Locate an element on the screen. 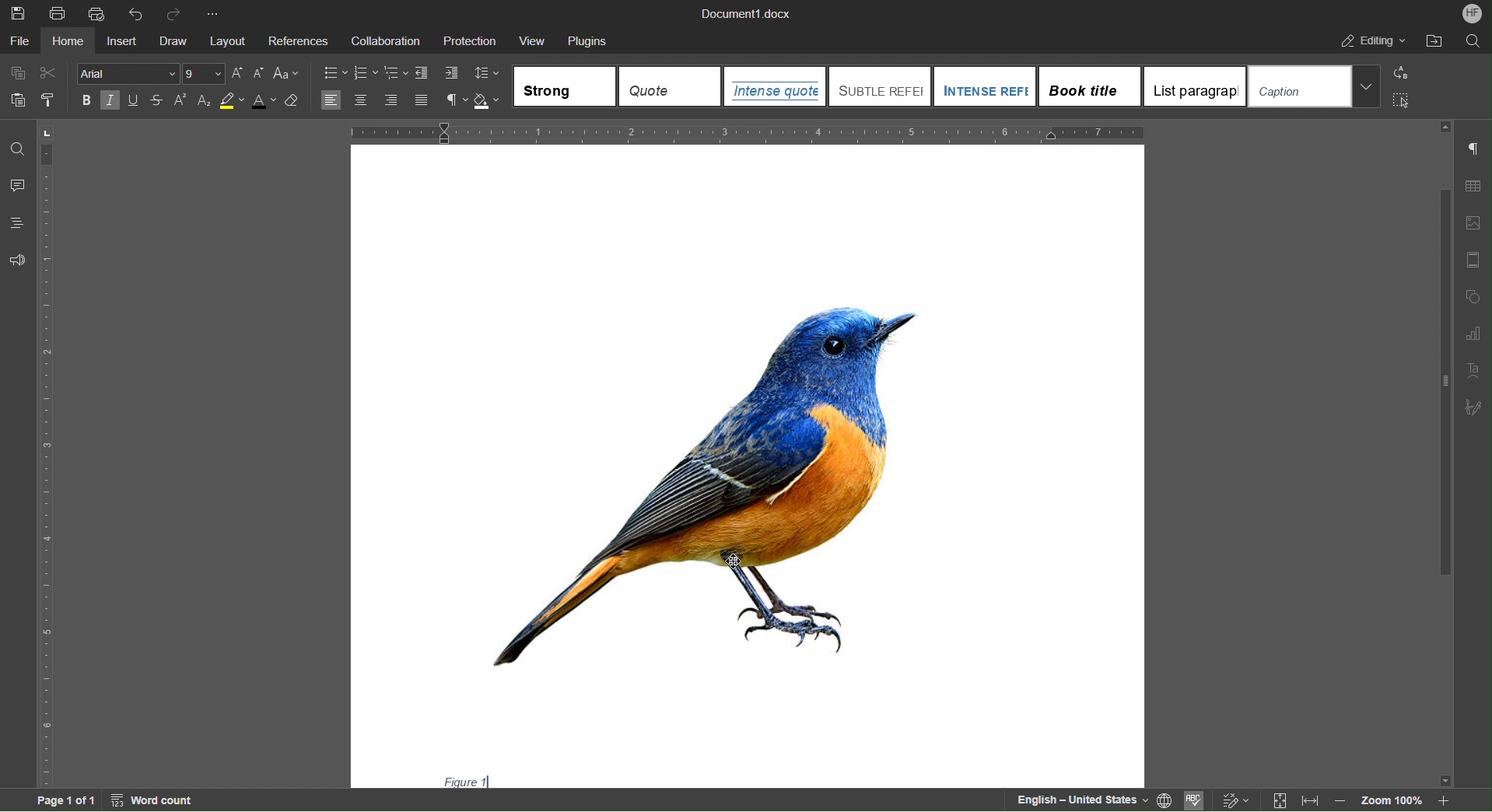  Quick Print is located at coordinates (96, 12).